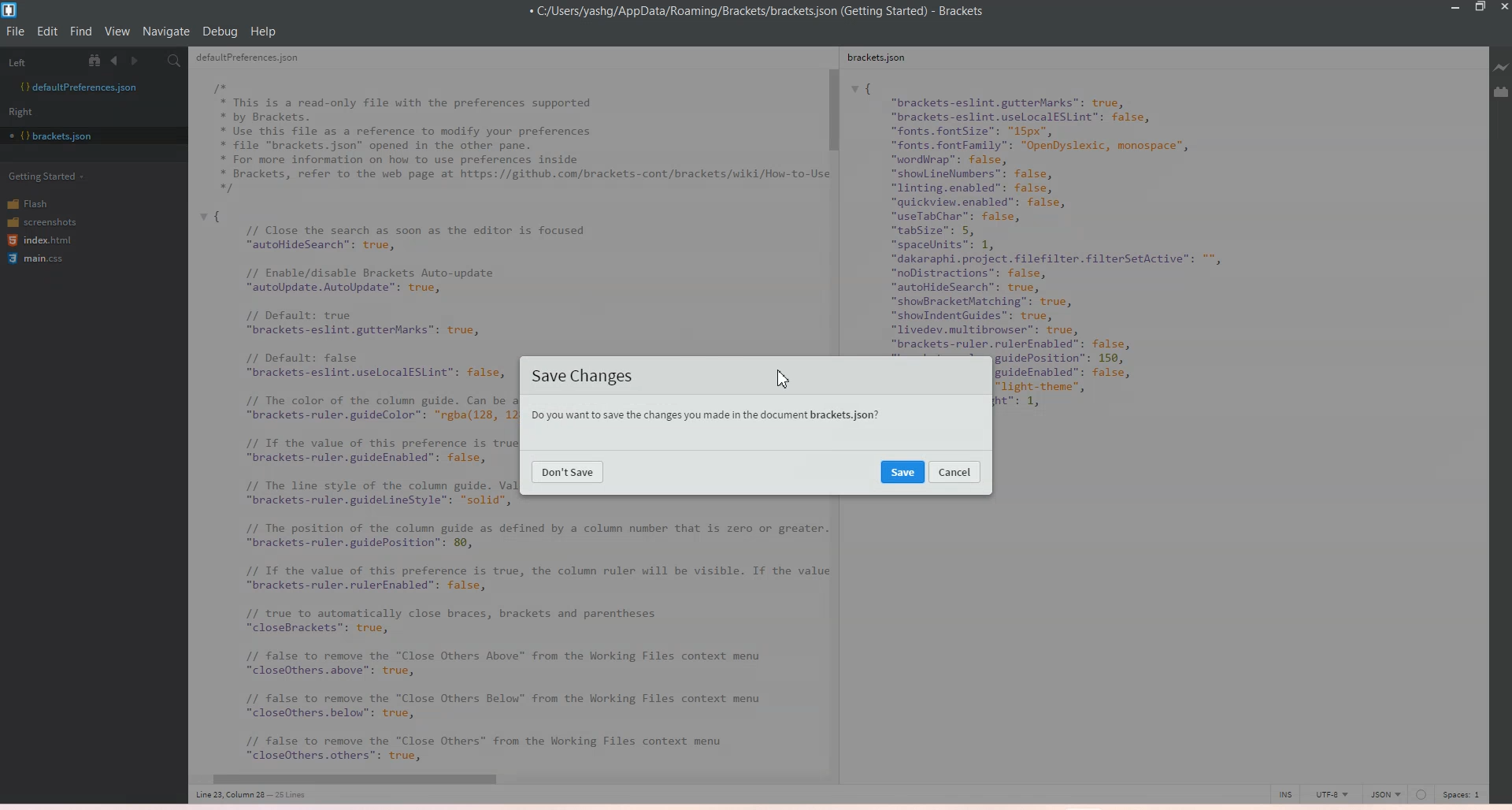  I want to click on Save, so click(903, 471).